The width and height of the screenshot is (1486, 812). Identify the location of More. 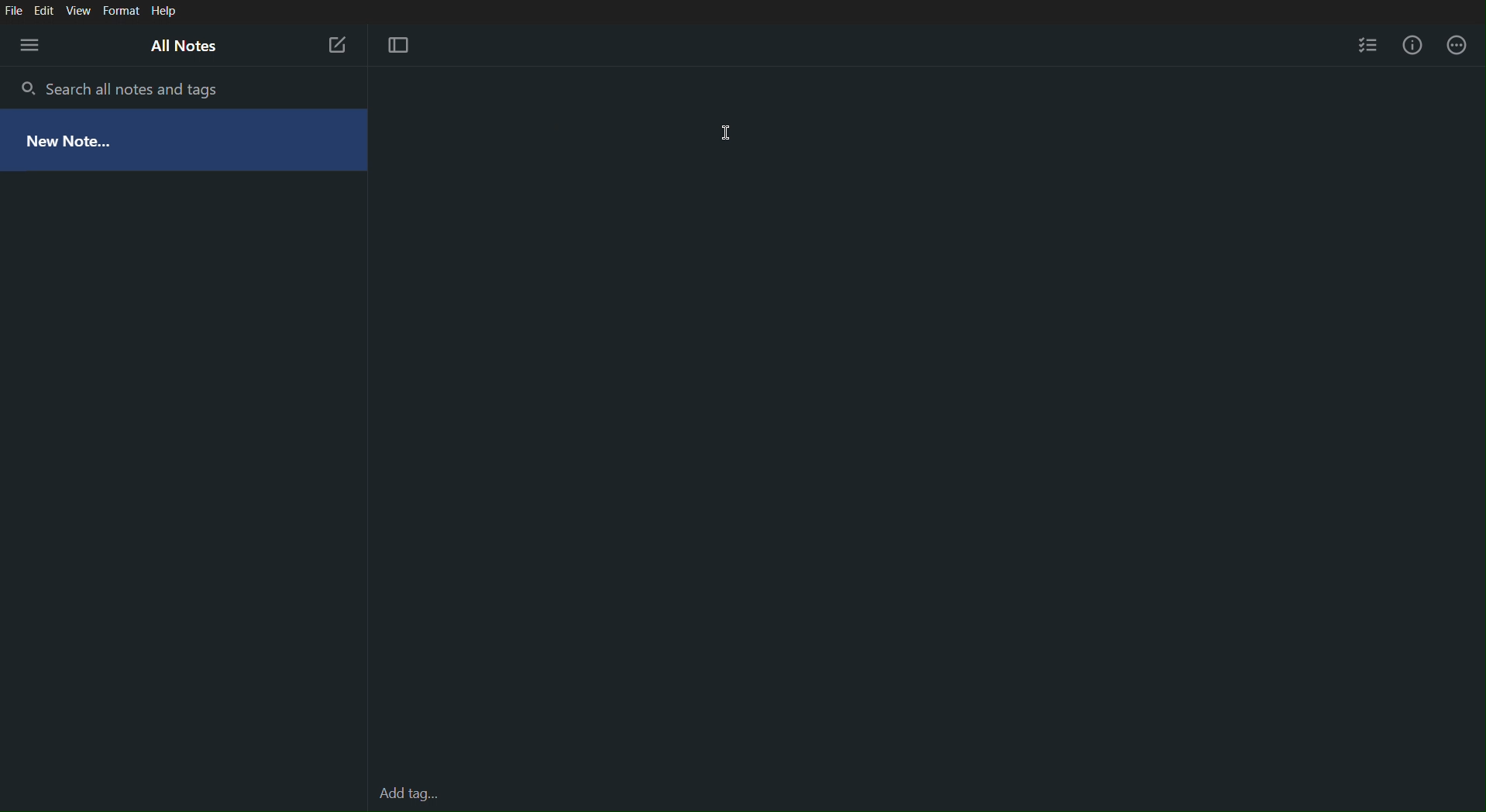
(1457, 45).